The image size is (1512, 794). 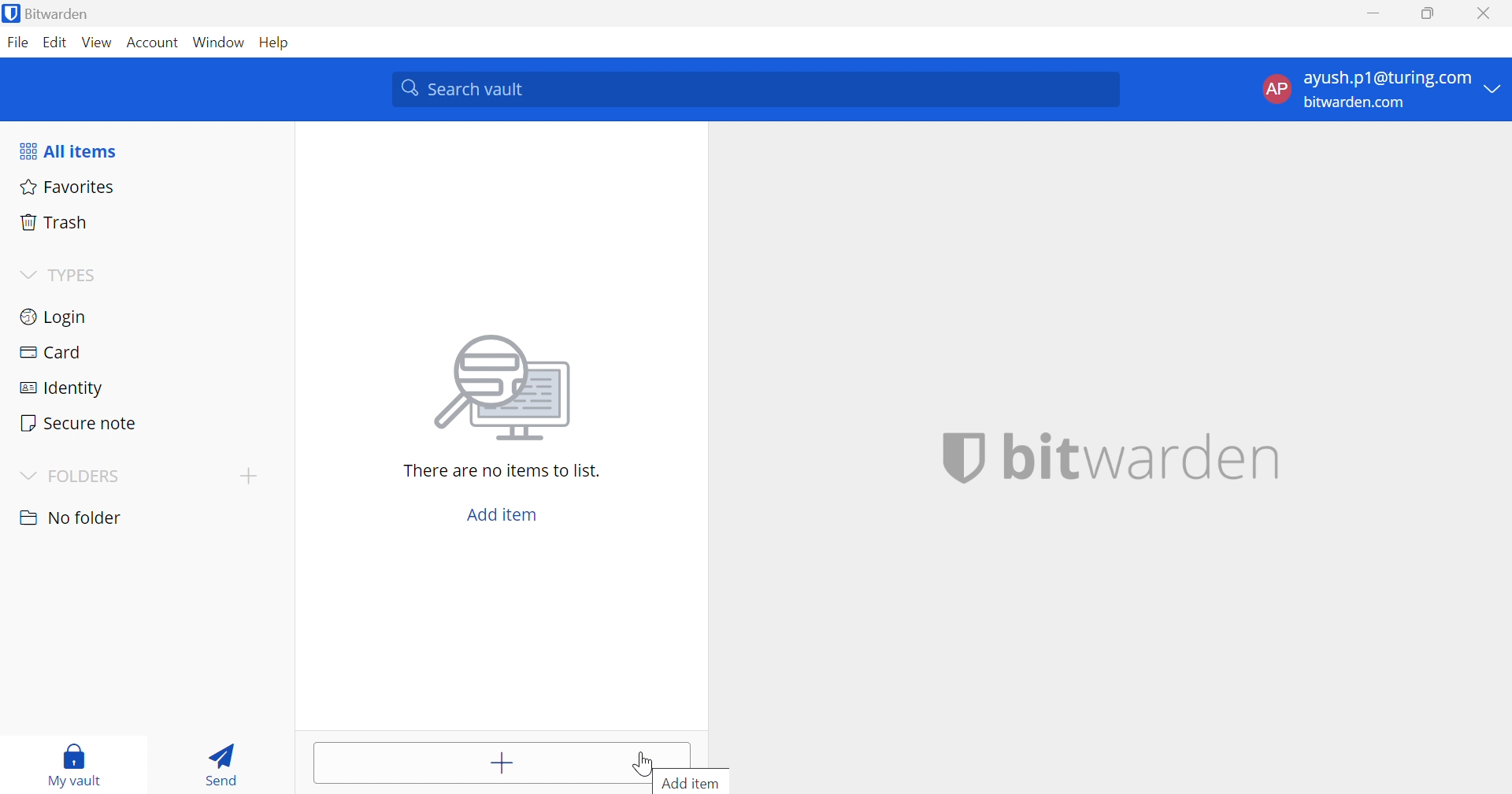 What do you see at coordinates (56, 317) in the screenshot?
I see `Login` at bounding box center [56, 317].